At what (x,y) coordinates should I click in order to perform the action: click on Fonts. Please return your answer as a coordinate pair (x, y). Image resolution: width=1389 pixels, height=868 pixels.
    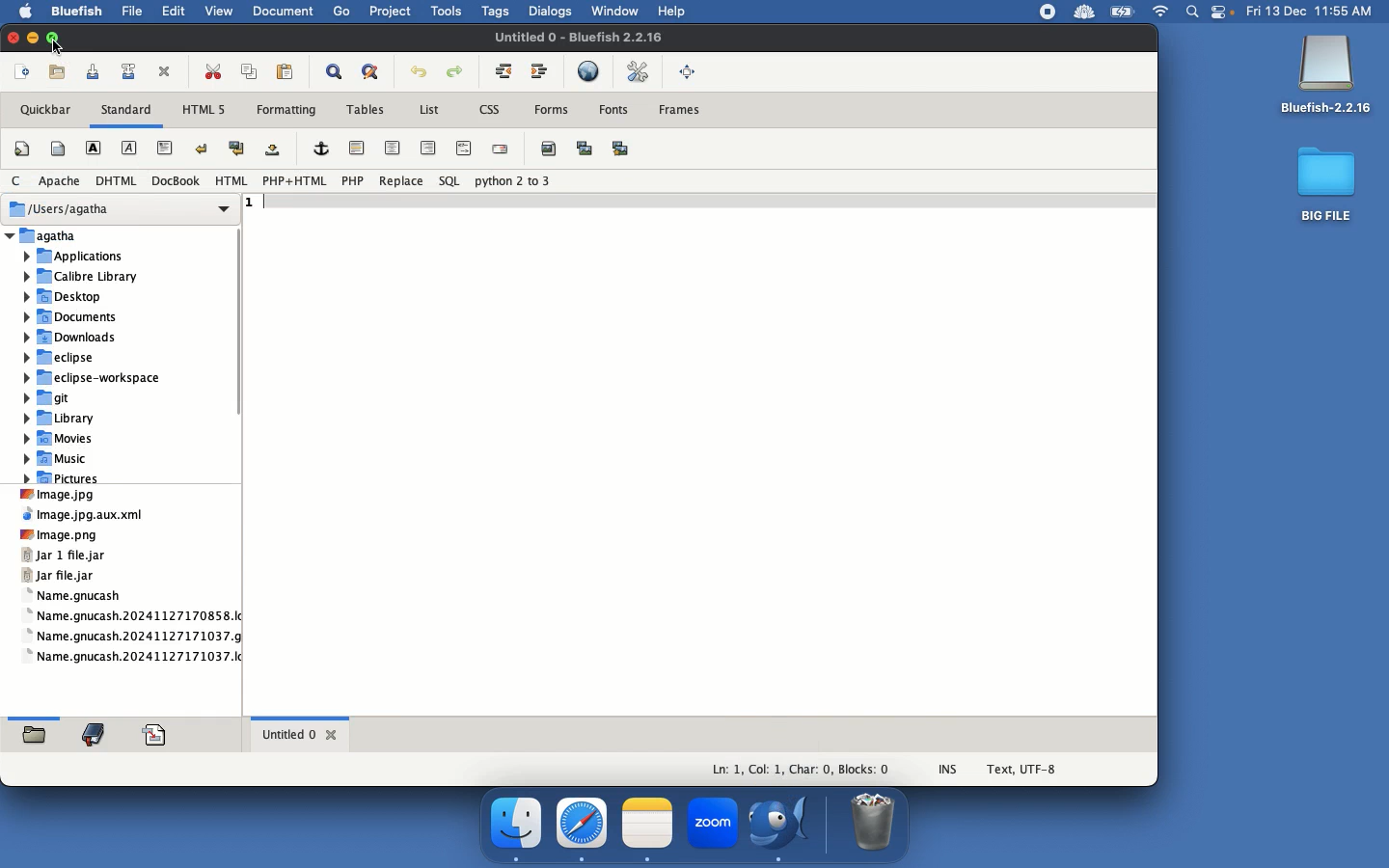
    Looking at the image, I should click on (616, 111).